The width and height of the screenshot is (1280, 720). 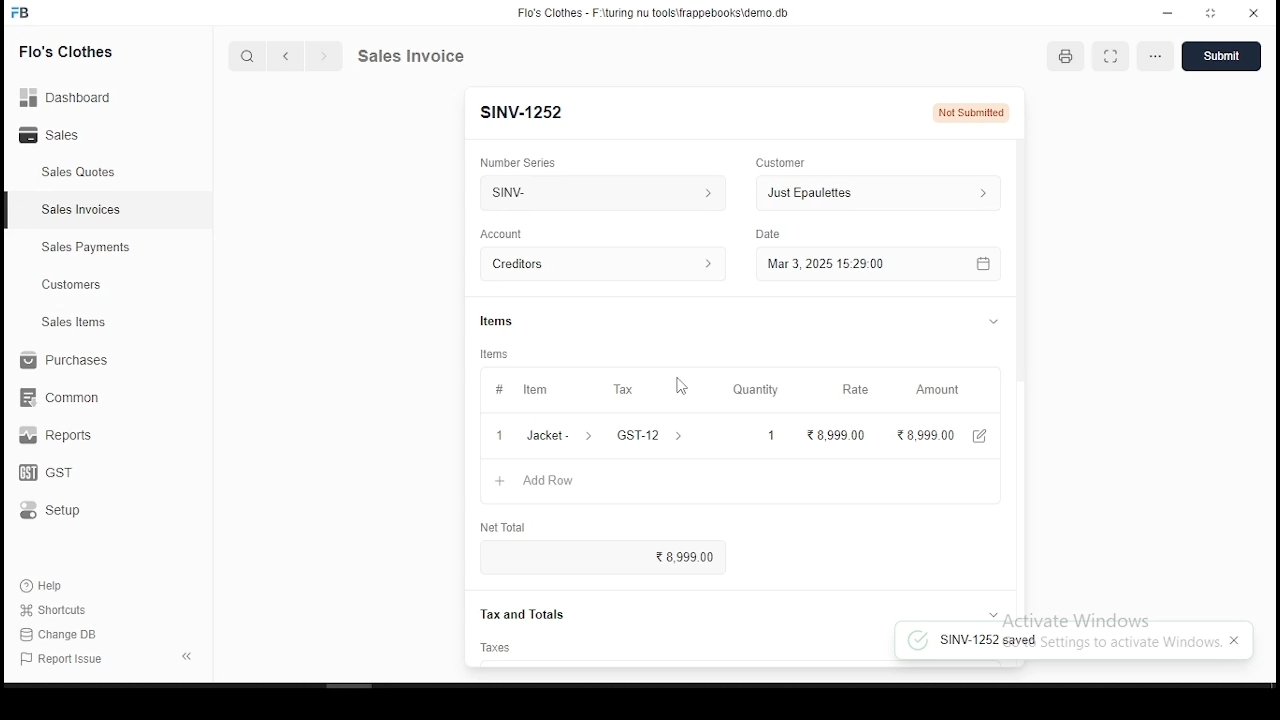 I want to click on GST, so click(x=63, y=474).